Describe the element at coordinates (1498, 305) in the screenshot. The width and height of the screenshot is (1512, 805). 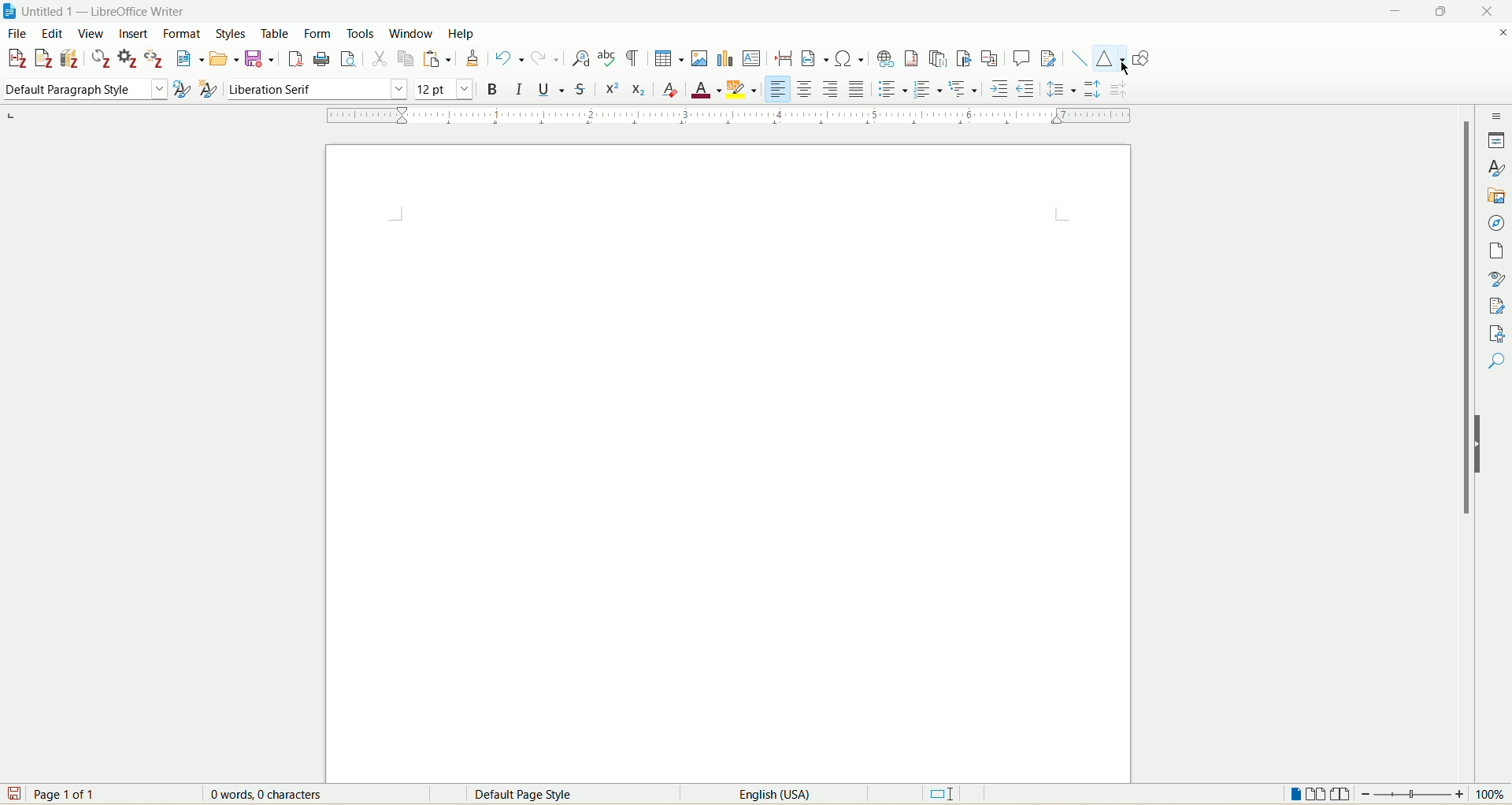
I see `manage changes` at that location.